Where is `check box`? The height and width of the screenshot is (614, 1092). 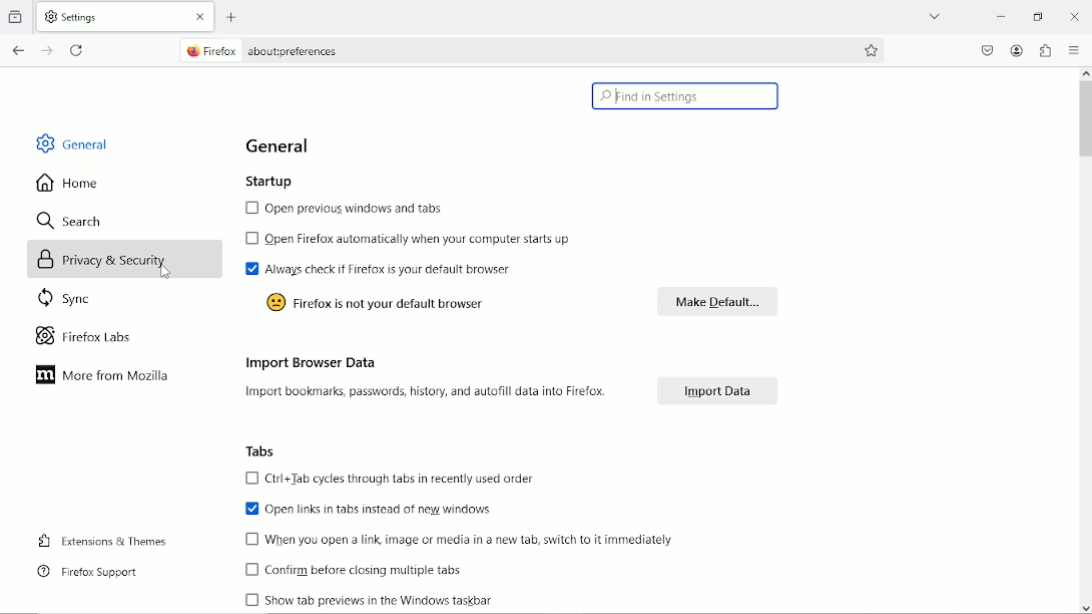 check box is located at coordinates (252, 508).